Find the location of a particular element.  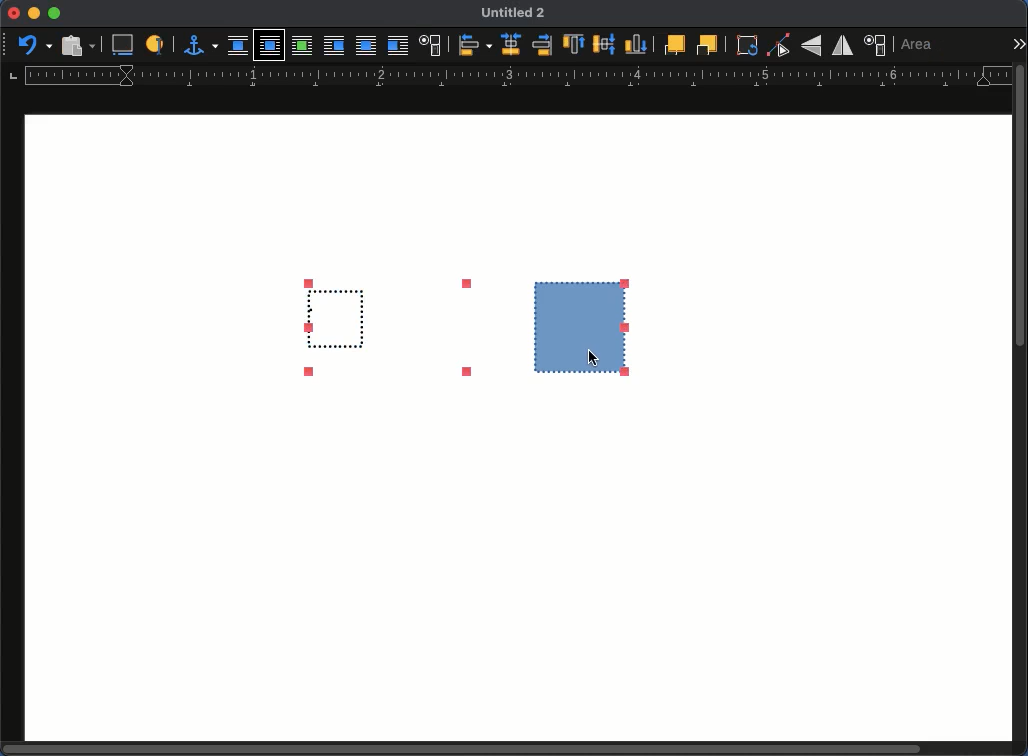

text wrap is located at coordinates (430, 45).